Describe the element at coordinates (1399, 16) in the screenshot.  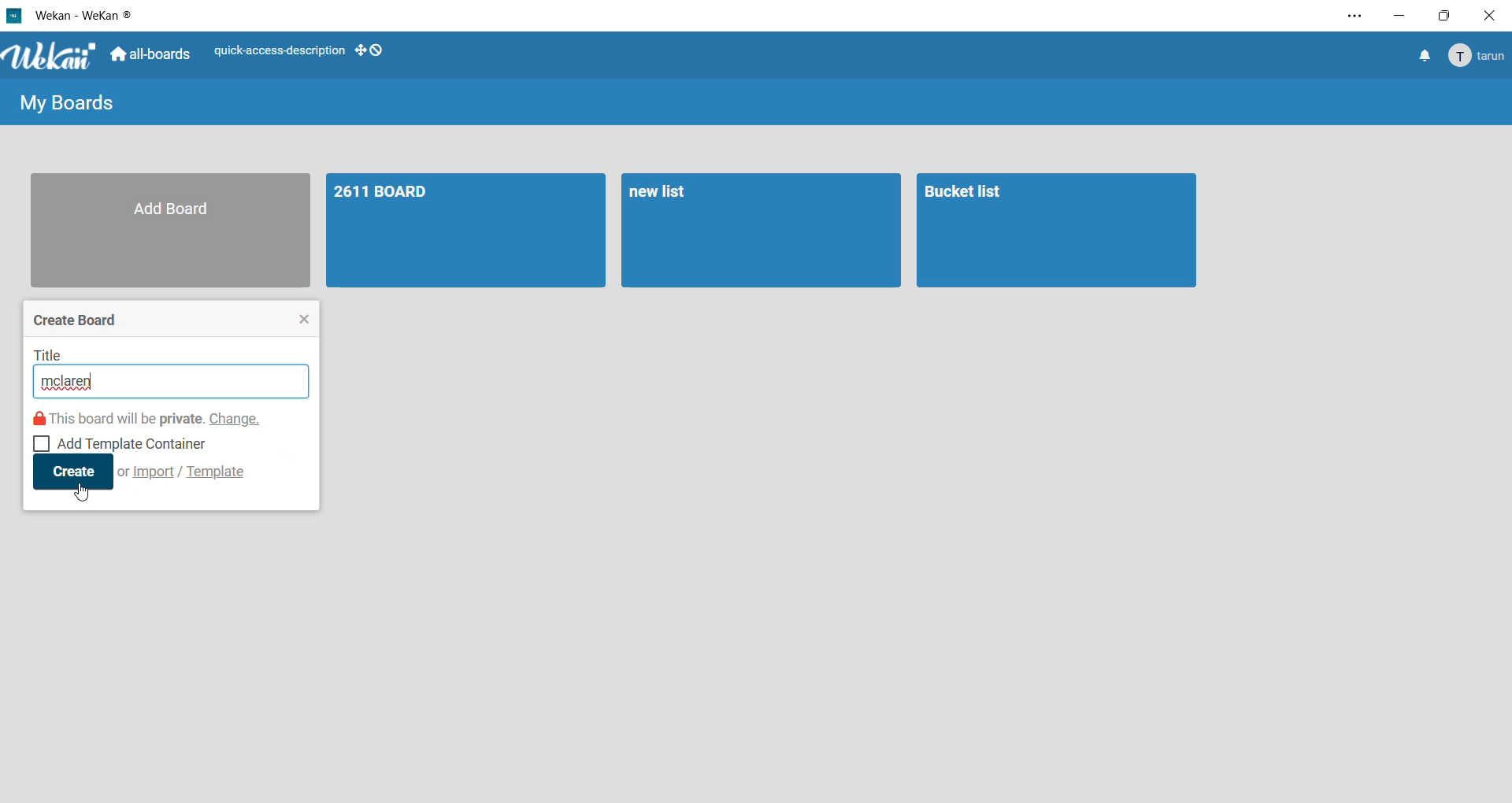
I see `minimize` at that location.